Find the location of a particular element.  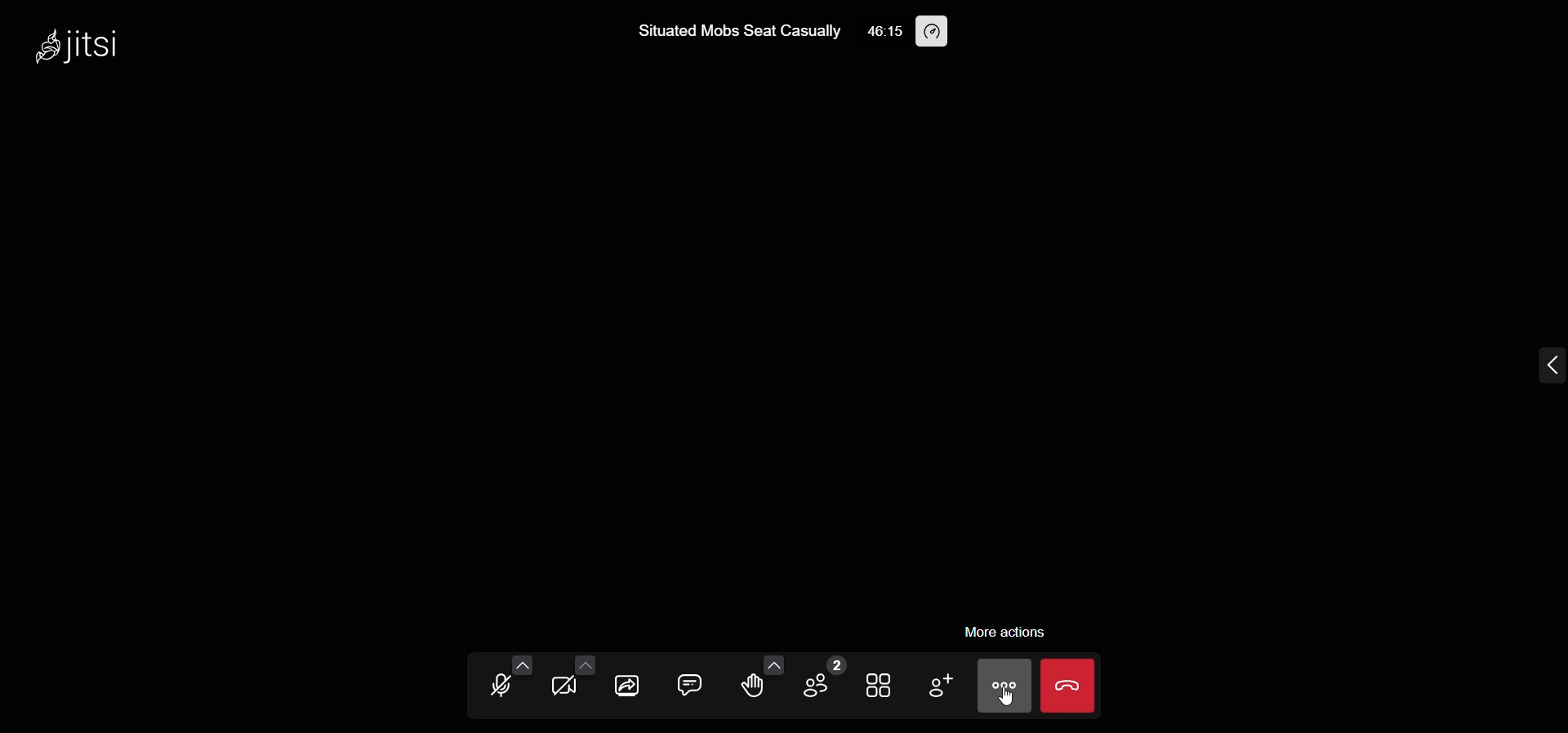

participant is located at coordinates (822, 679).